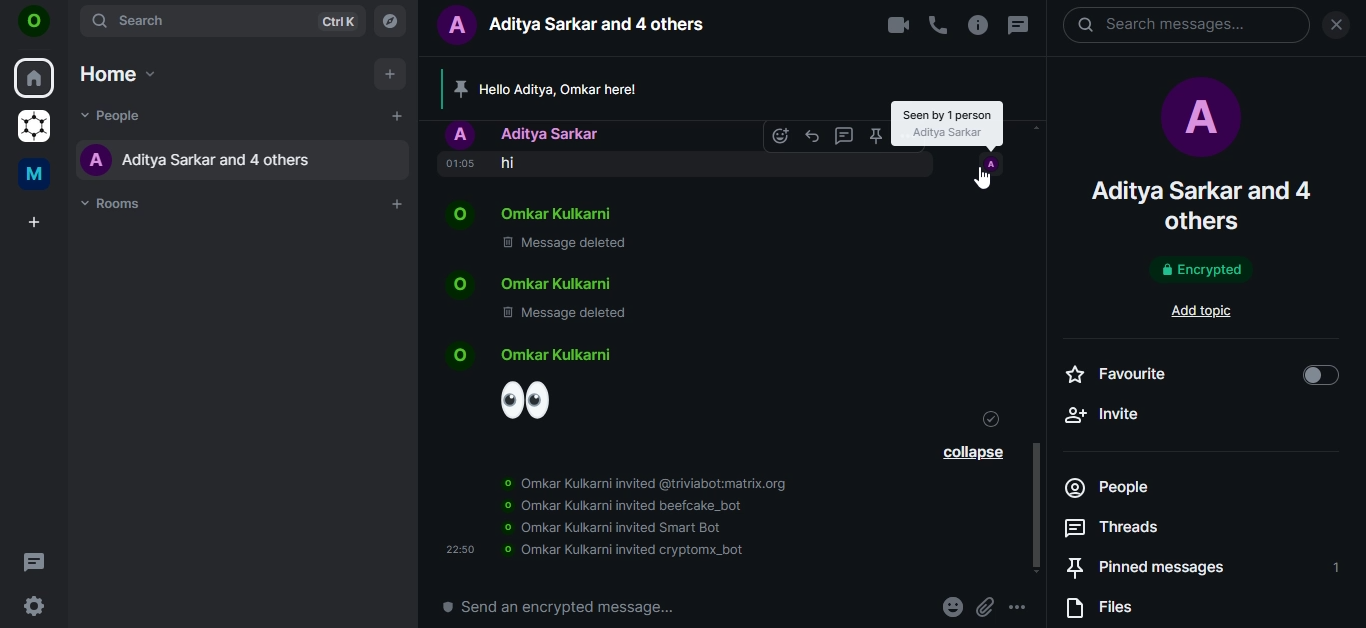  I want to click on encrypted, so click(1199, 271).